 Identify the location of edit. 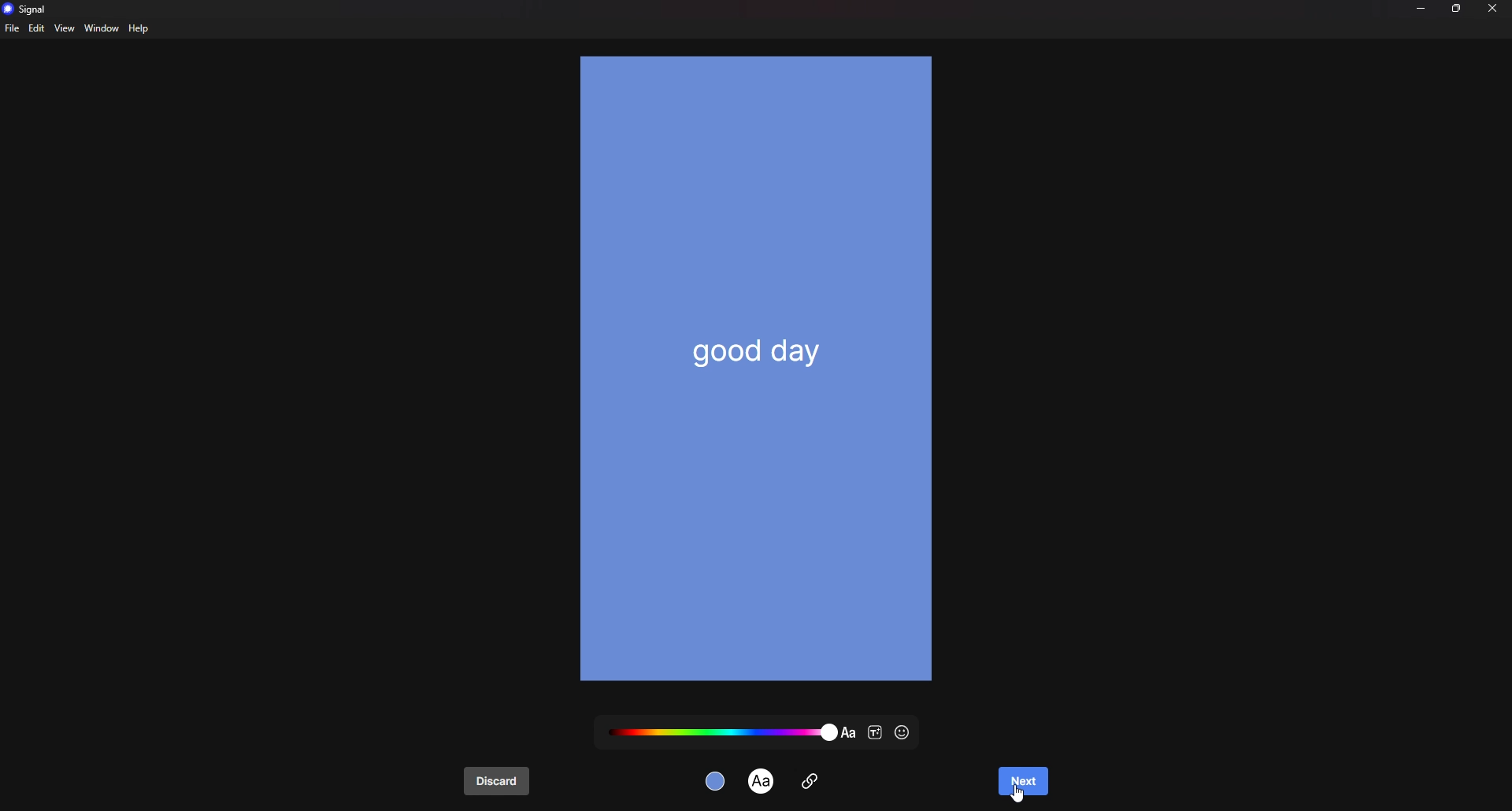
(37, 28).